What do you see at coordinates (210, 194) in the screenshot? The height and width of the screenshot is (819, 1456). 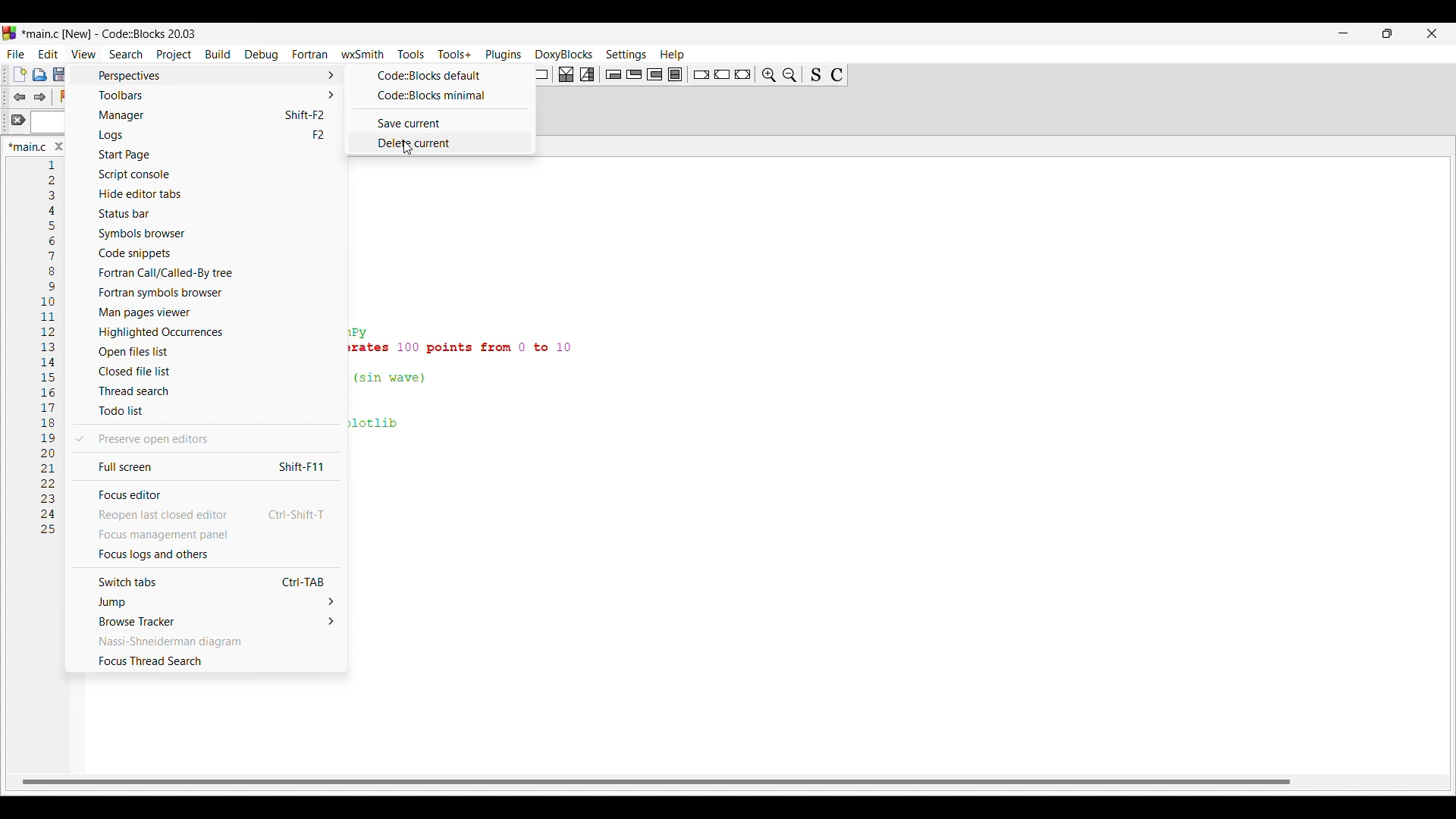 I see `Hide editor tabs` at bounding box center [210, 194].